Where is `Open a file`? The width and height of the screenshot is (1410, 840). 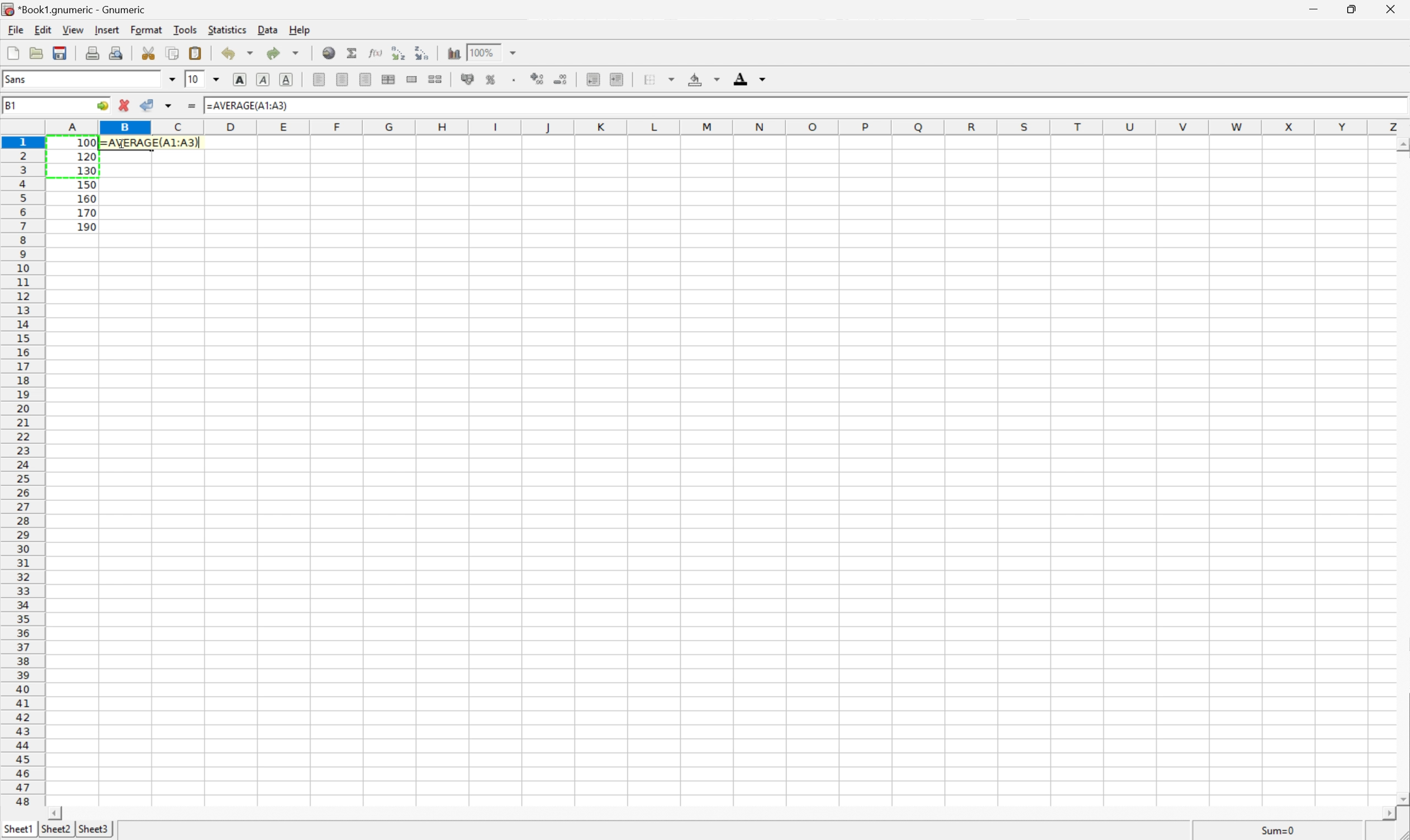 Open a file is located at coordinates (37, 53).